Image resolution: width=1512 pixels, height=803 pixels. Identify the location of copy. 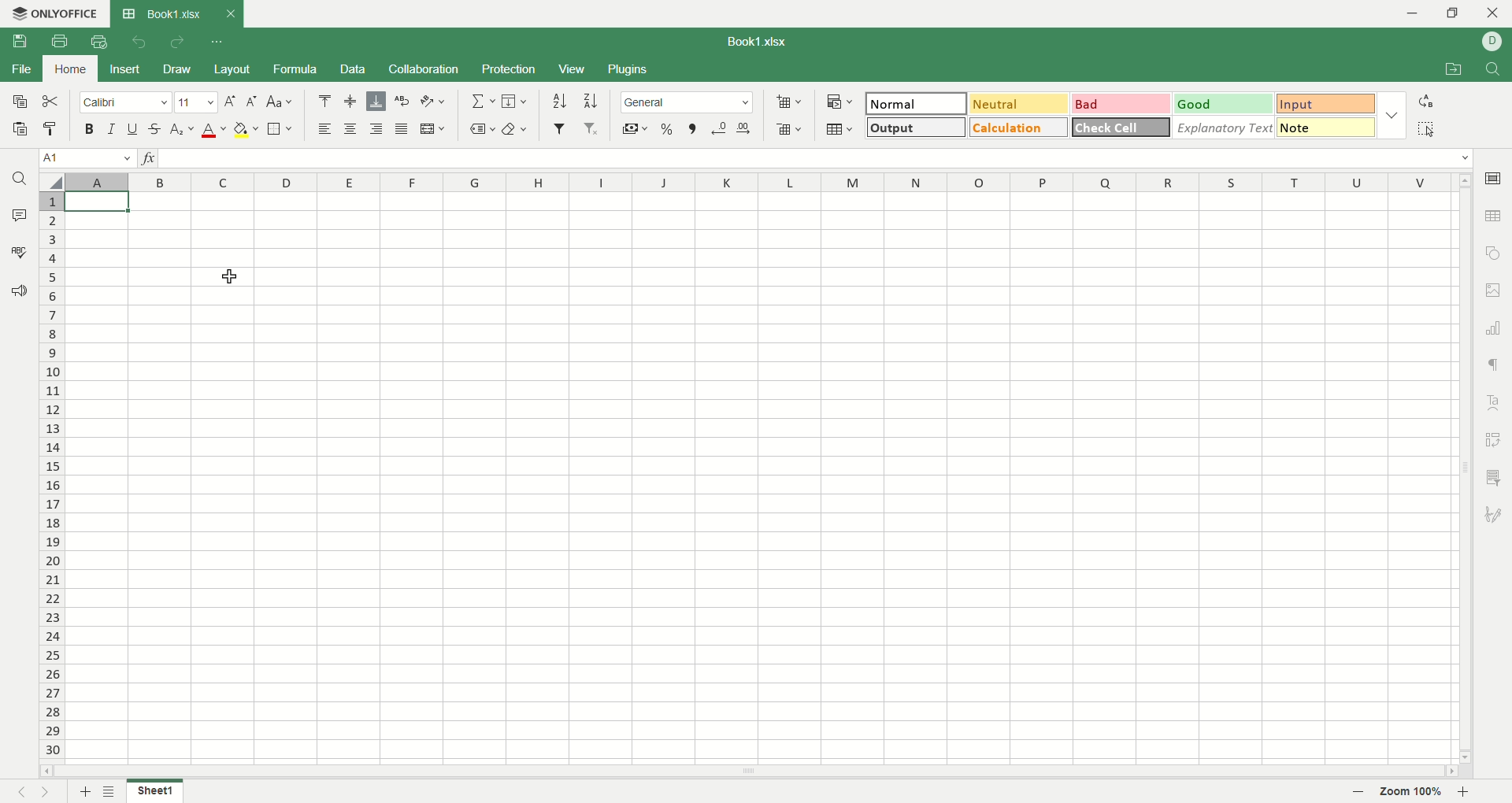
(18, 105).